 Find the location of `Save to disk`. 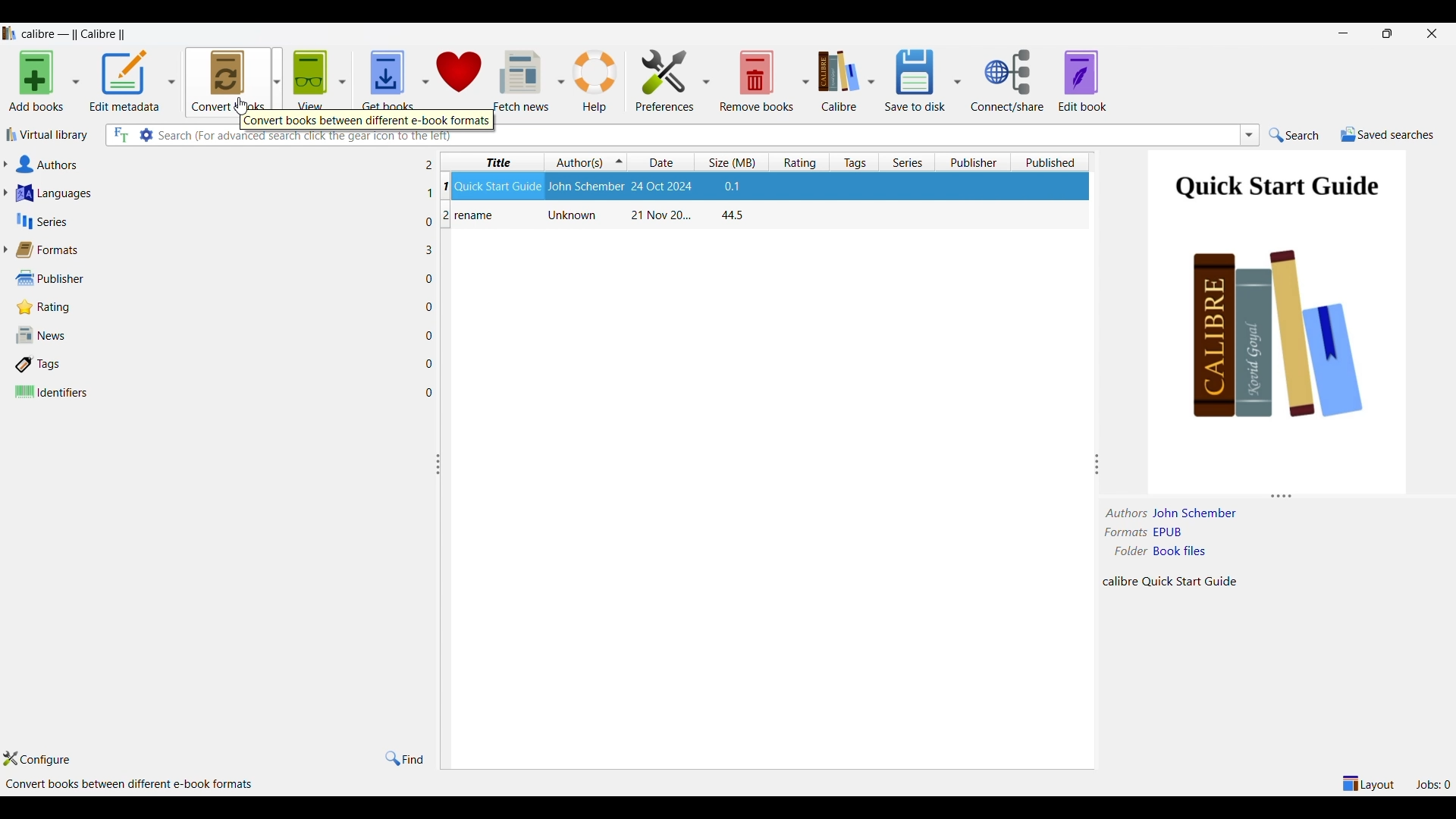

Save to disk is located at coordinates (916, 81).